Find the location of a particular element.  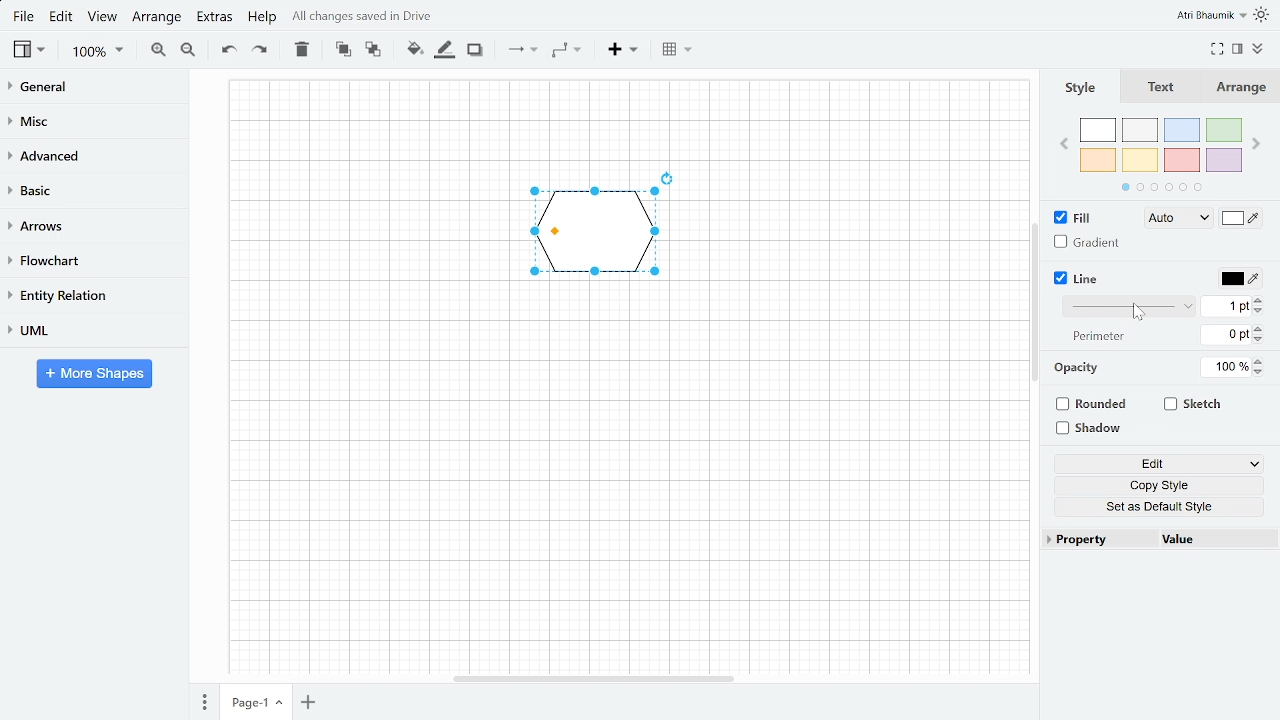

Full screen is located at coordinates (1216, 48).